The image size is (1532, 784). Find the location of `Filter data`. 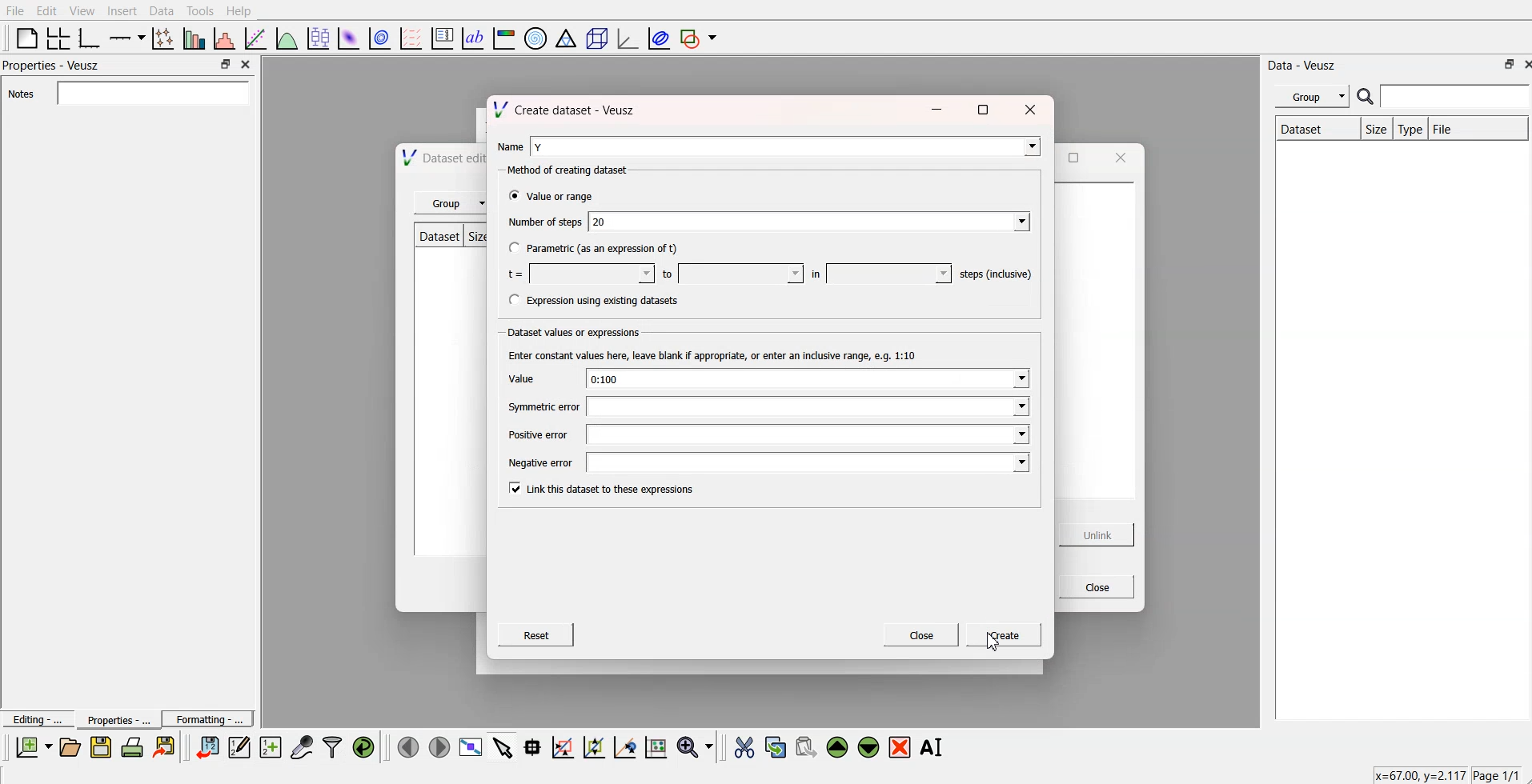

Filter data is located at coordinates (334, 746).